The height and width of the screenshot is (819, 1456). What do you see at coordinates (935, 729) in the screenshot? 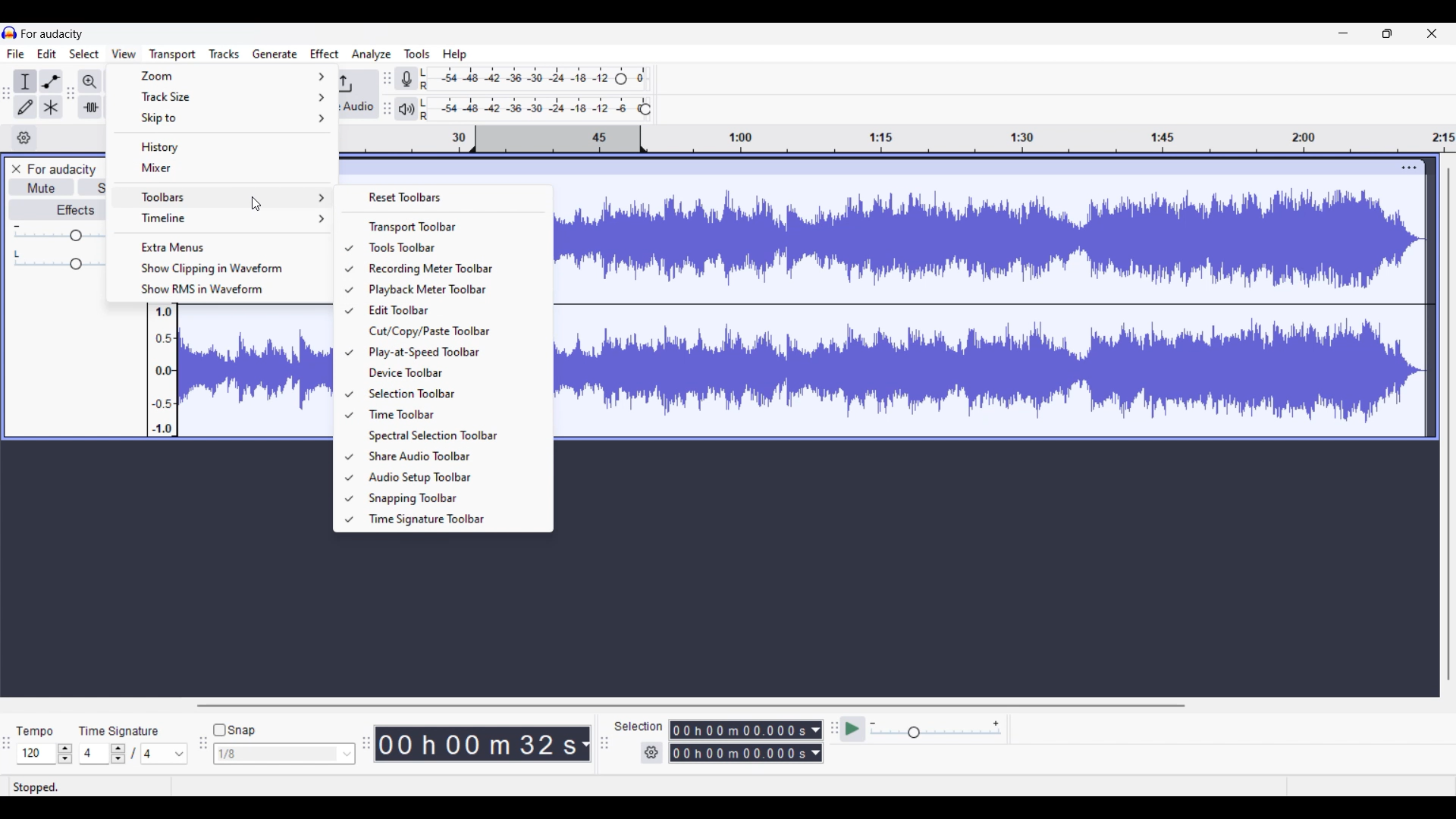
I see `Playback speed scale` at bounding box center [935, 729].